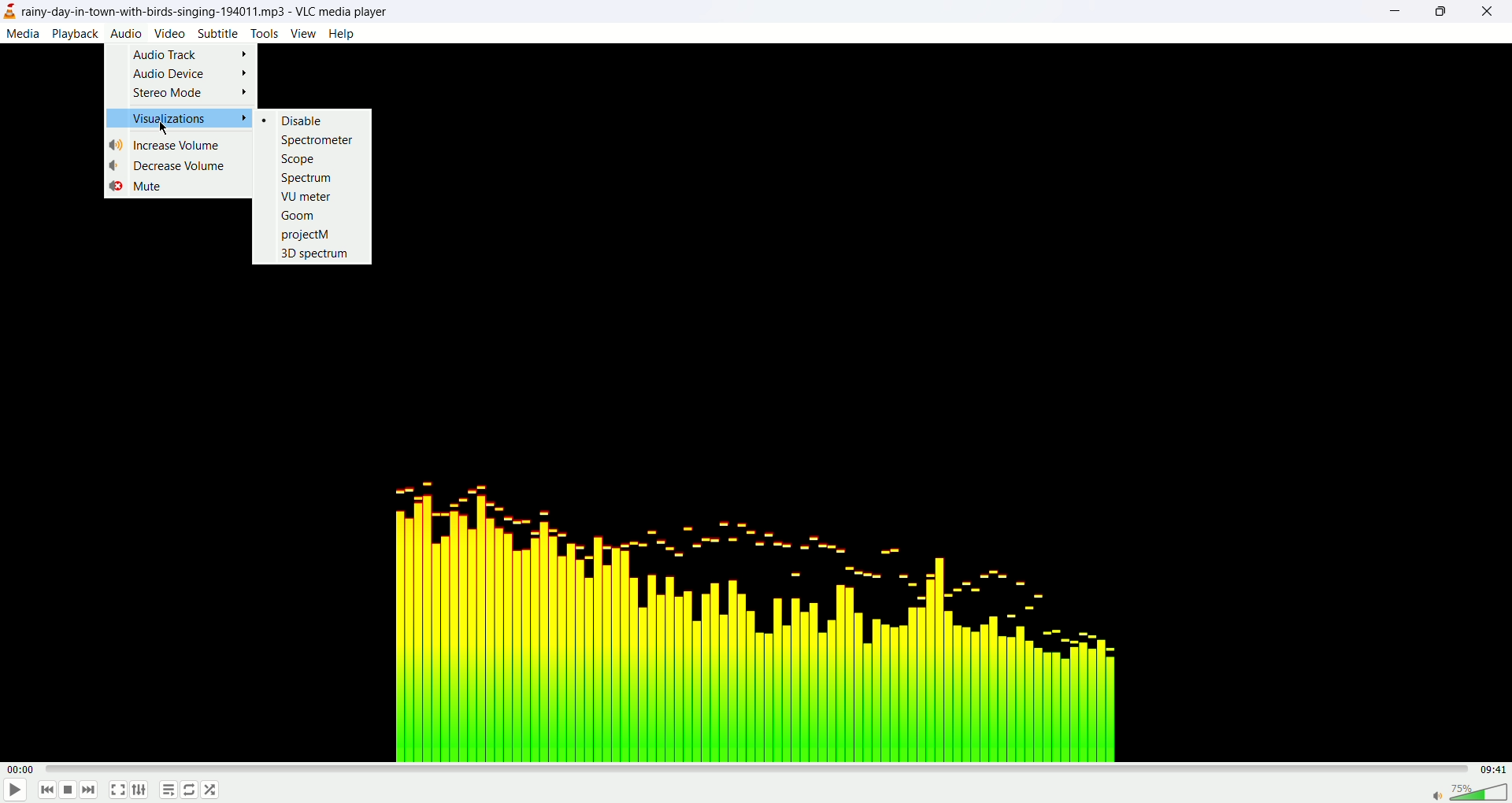 This screenshot has height=803, width=1512. What do you see at coordinates (67, 790) in the screenshot?
I see `stop` at bounding box center [67, 790].